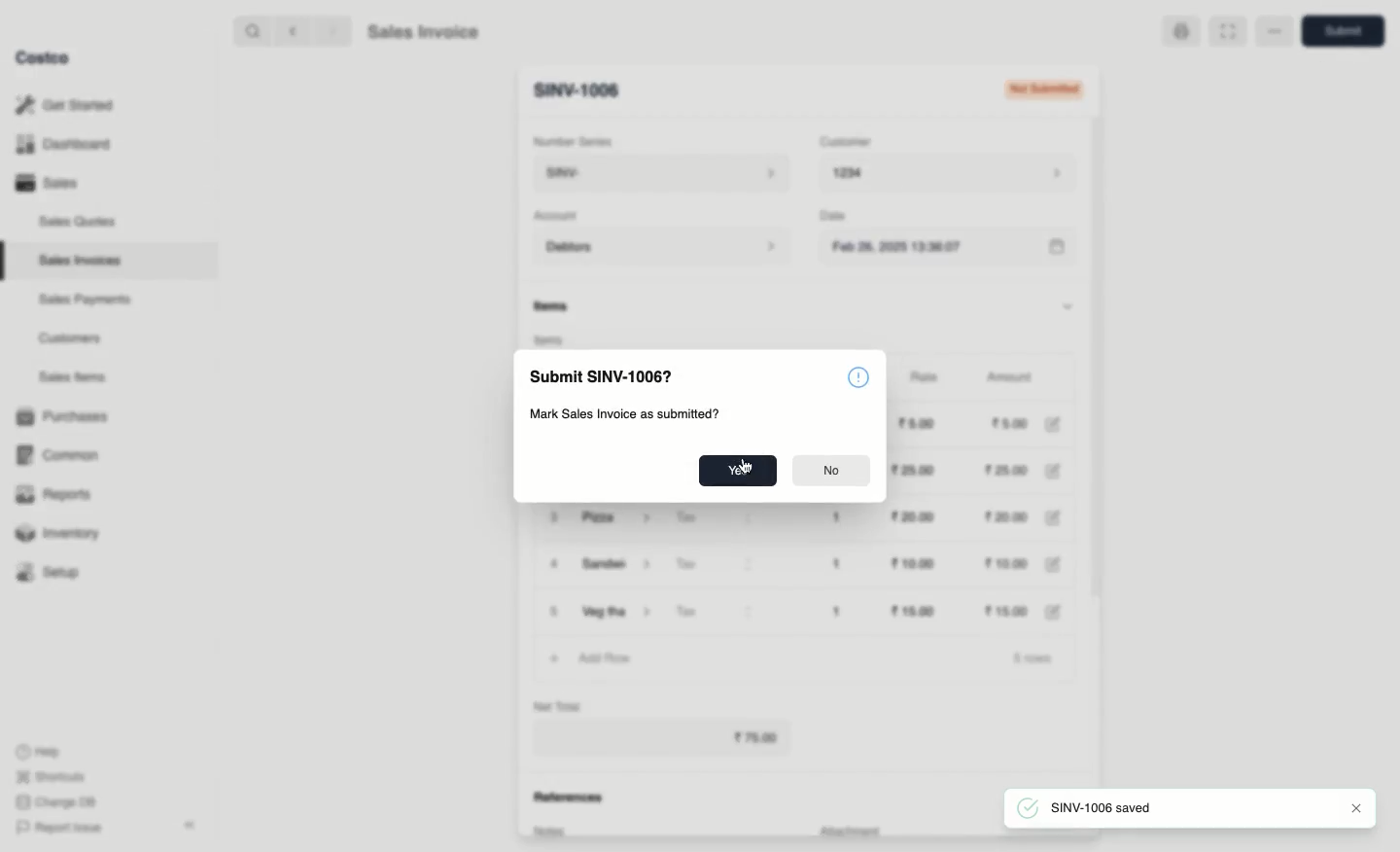  Describe the element at coordinates (66, 455) in the screenshot. I see `Common` at that location.